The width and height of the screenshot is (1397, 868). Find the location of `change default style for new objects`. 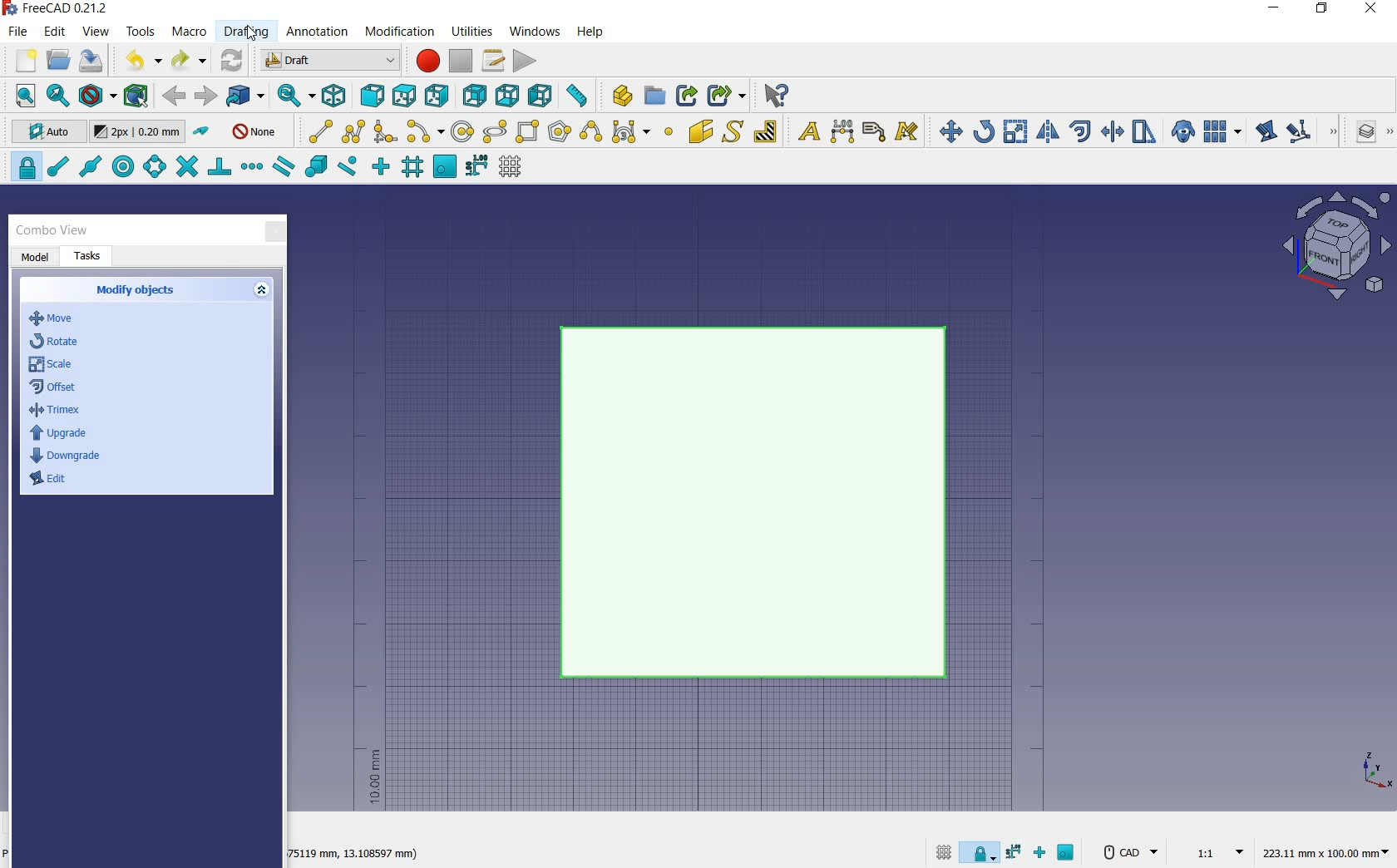

change default style for new objects is located at coordinates (140, 134).